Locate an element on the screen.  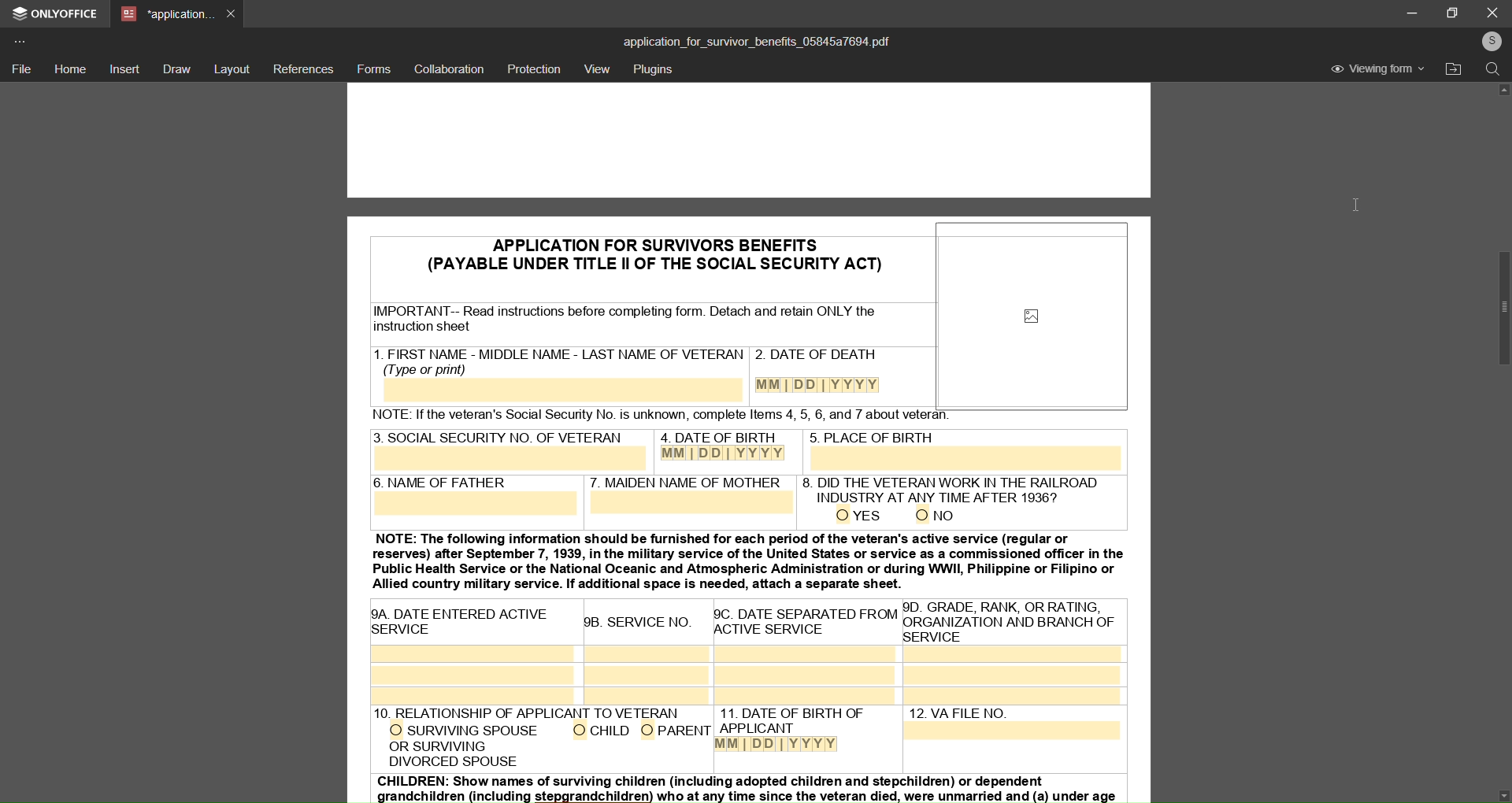
close is located at coordinates (1492, 12).